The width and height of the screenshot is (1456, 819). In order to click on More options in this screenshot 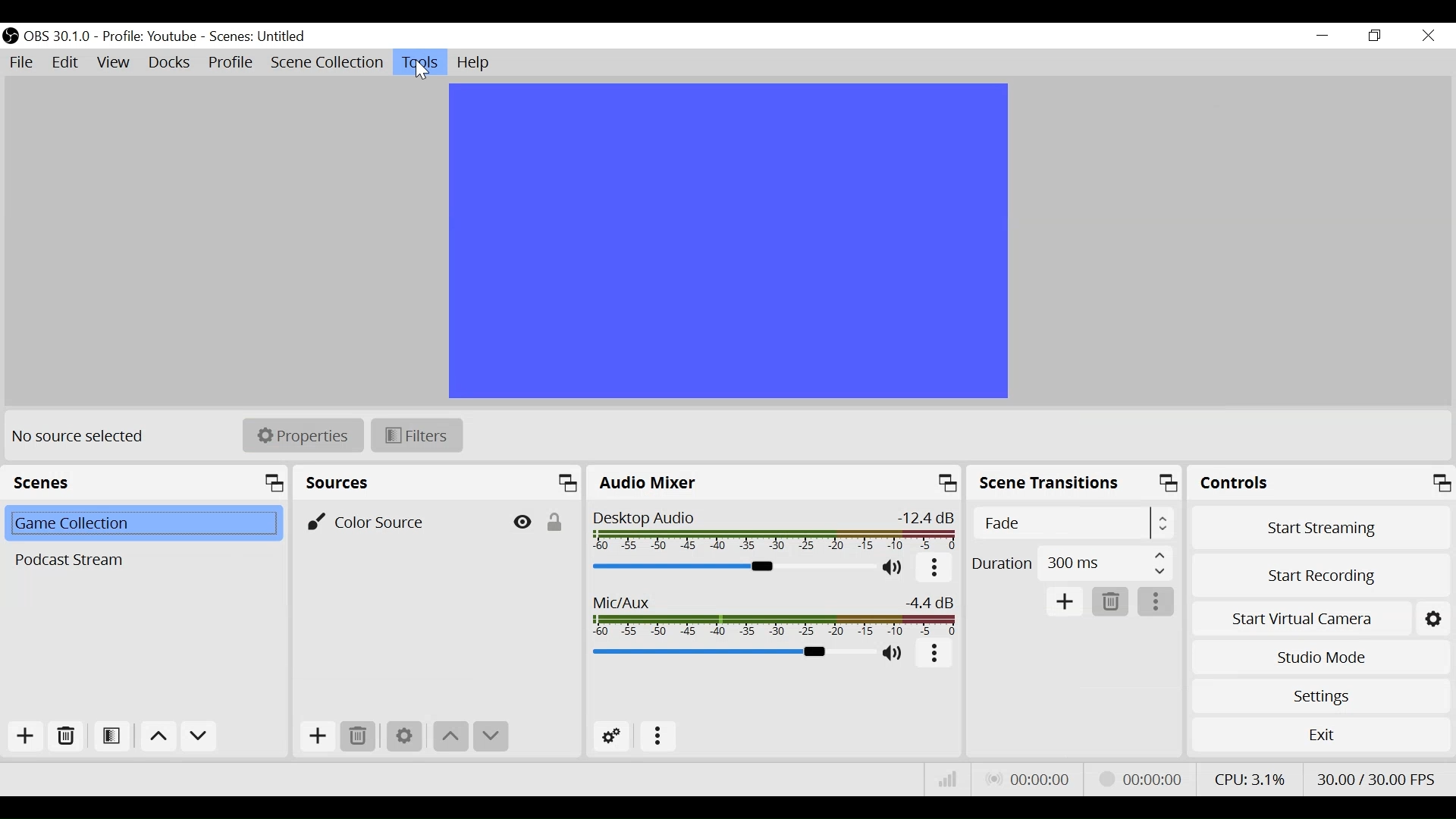, I will do `click(934, 569)`.